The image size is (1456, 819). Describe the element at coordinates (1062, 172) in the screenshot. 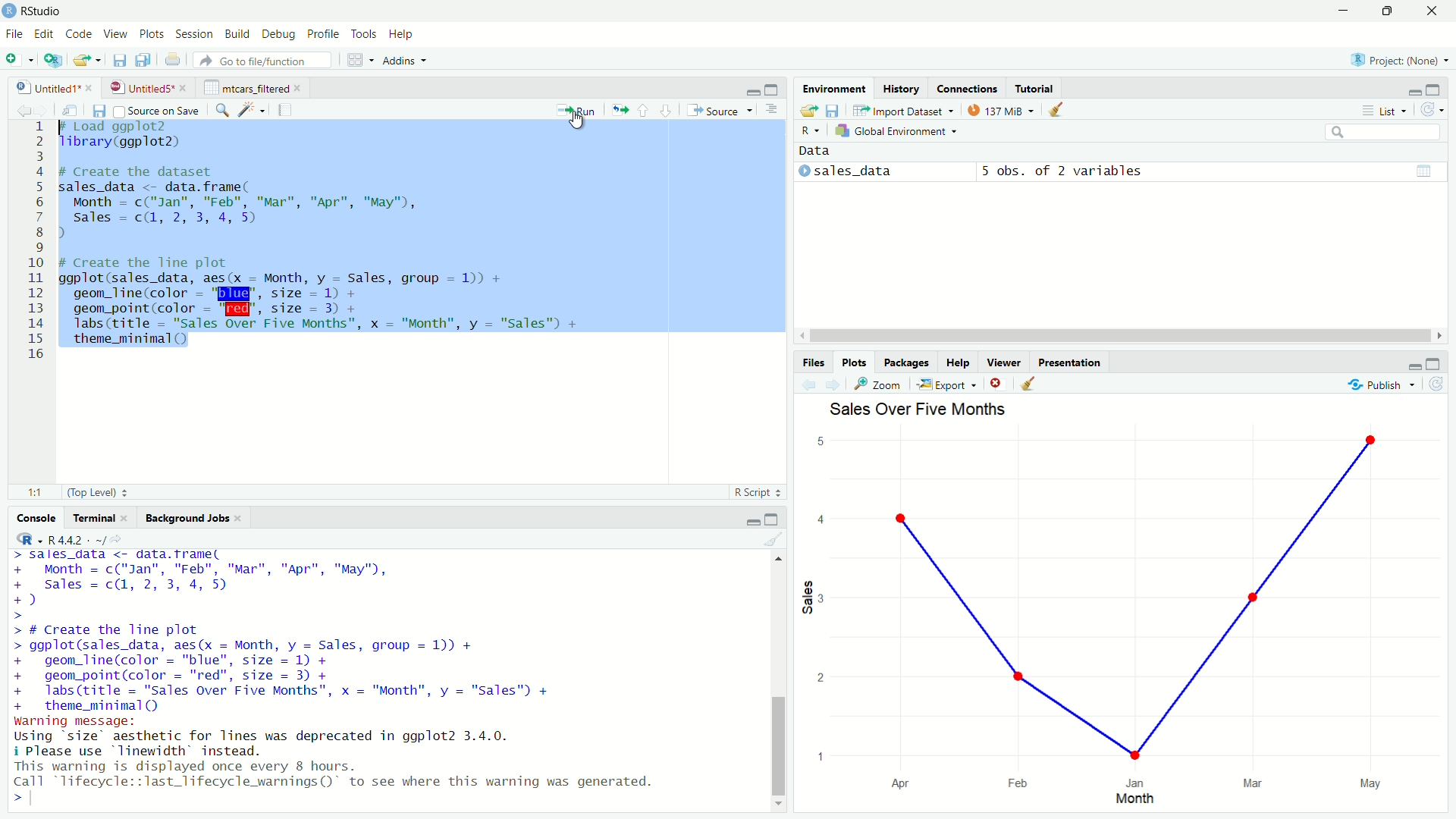

I see `5 obs. of 2 variables` at that location.